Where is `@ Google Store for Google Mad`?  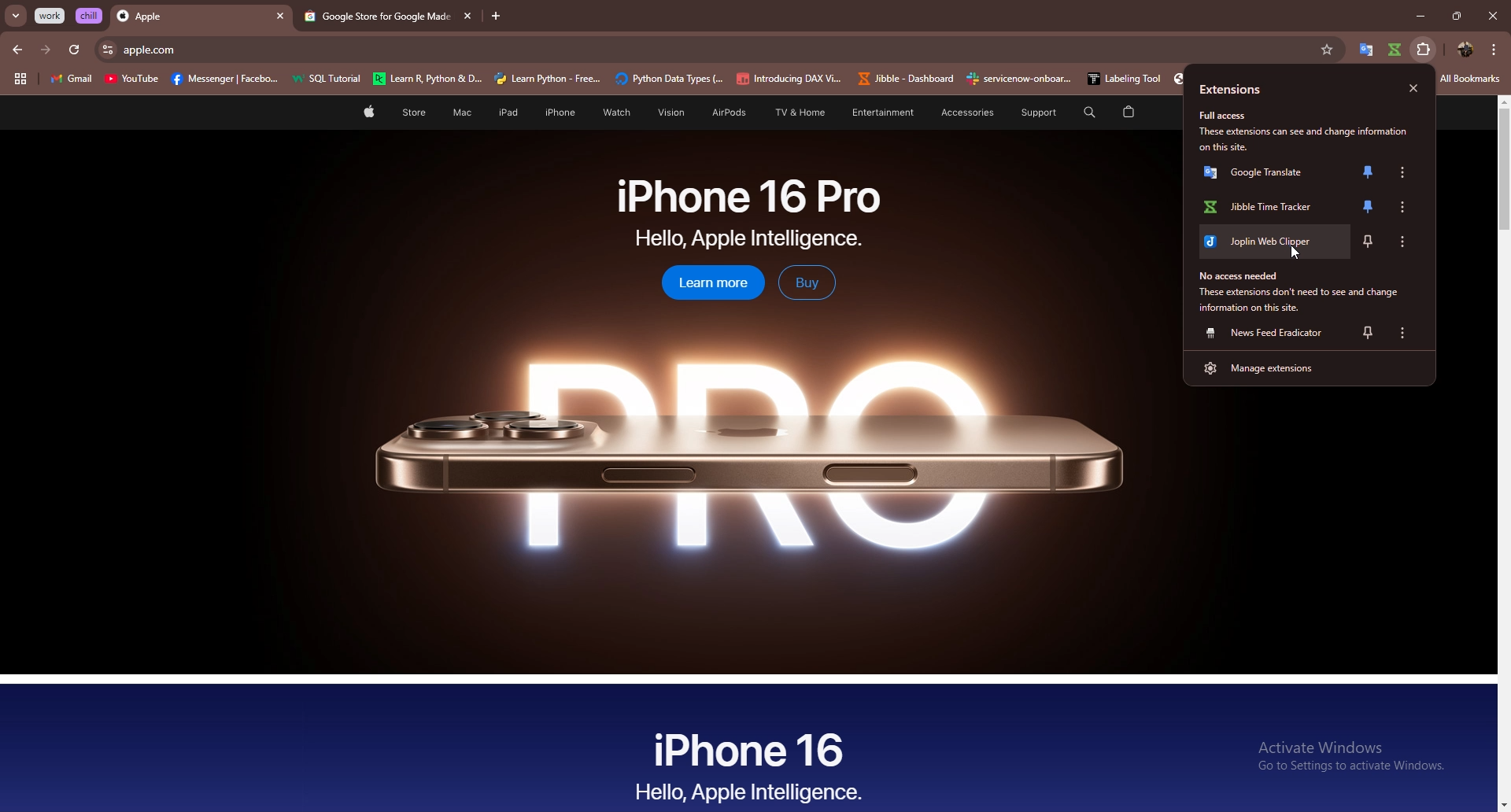 @ Google Store for Google Mad is located at coordinates (374, 17).